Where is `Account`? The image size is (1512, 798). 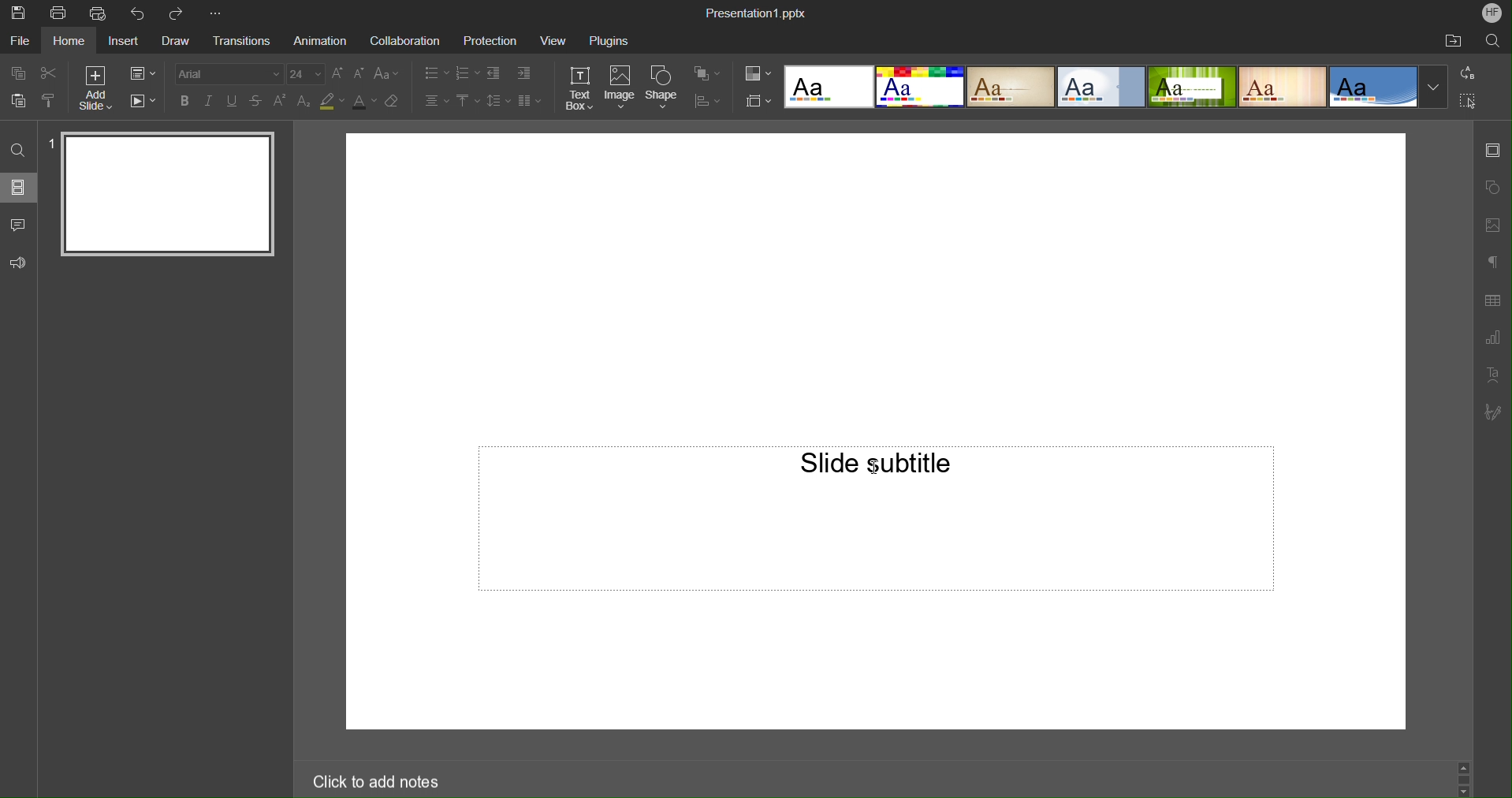
Account is located at coordinates (1492, 13).